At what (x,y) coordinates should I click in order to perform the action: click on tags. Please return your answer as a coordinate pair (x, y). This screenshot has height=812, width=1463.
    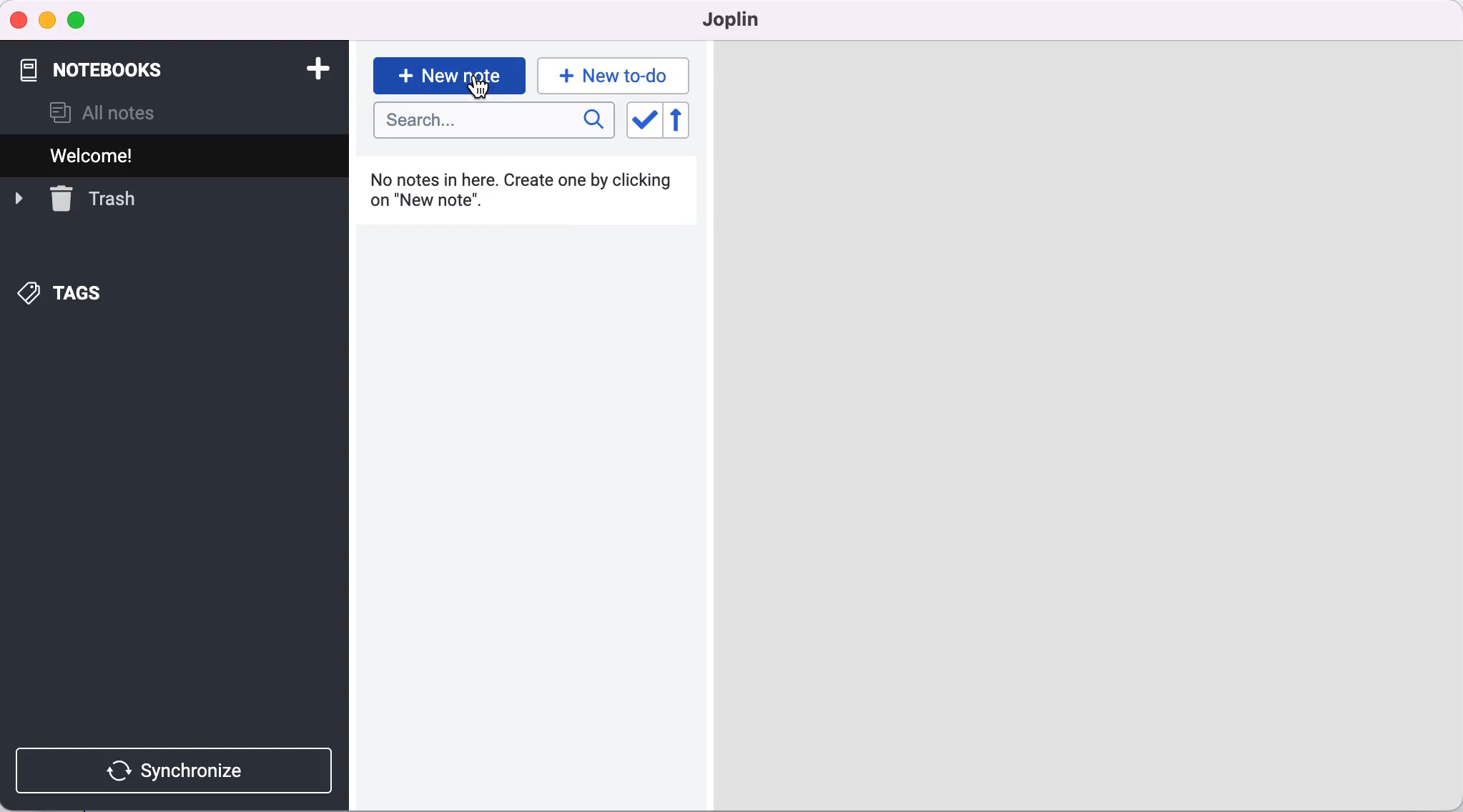
    Looking at the image, I should click on (83, 294).